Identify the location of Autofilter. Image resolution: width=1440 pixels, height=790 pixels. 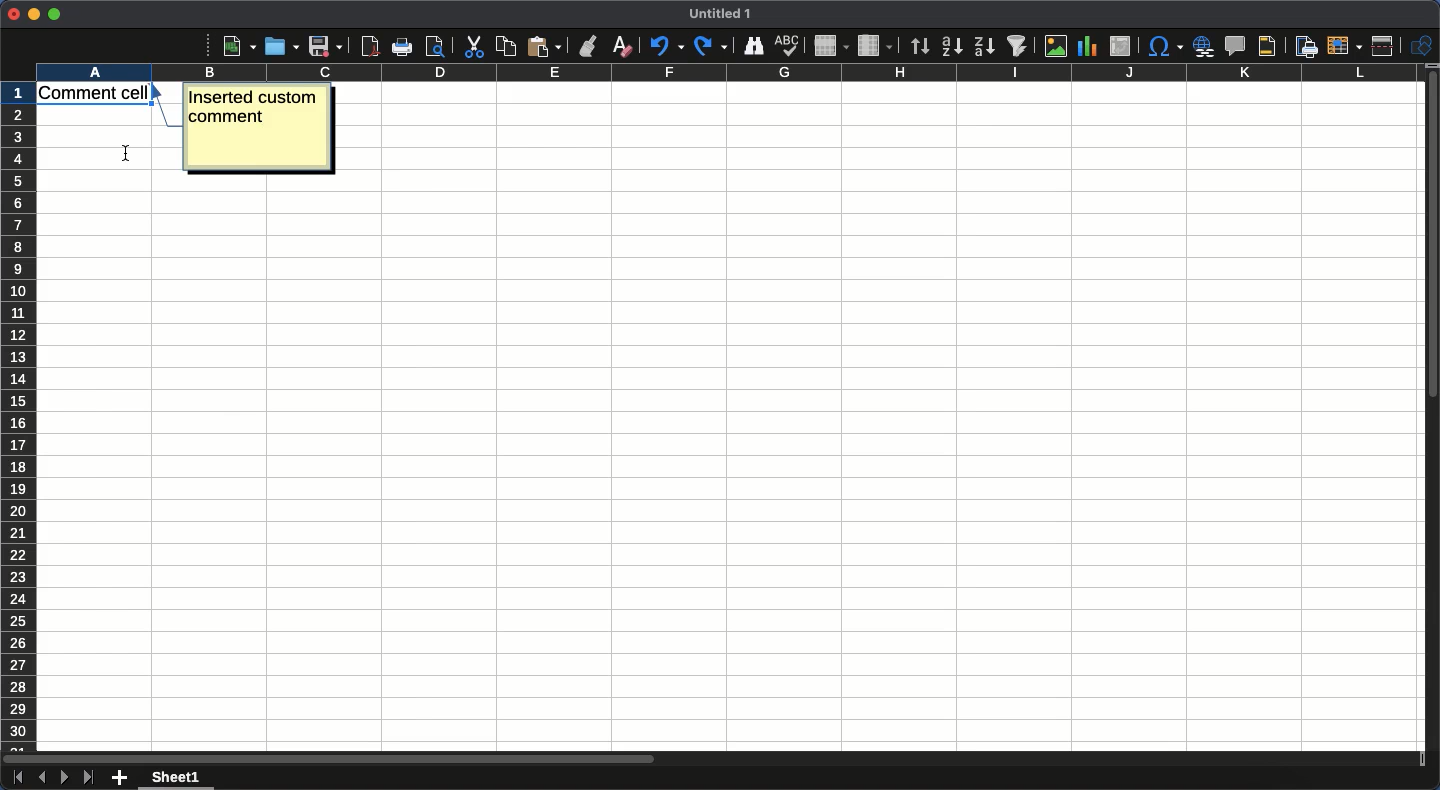
(1021, 44).